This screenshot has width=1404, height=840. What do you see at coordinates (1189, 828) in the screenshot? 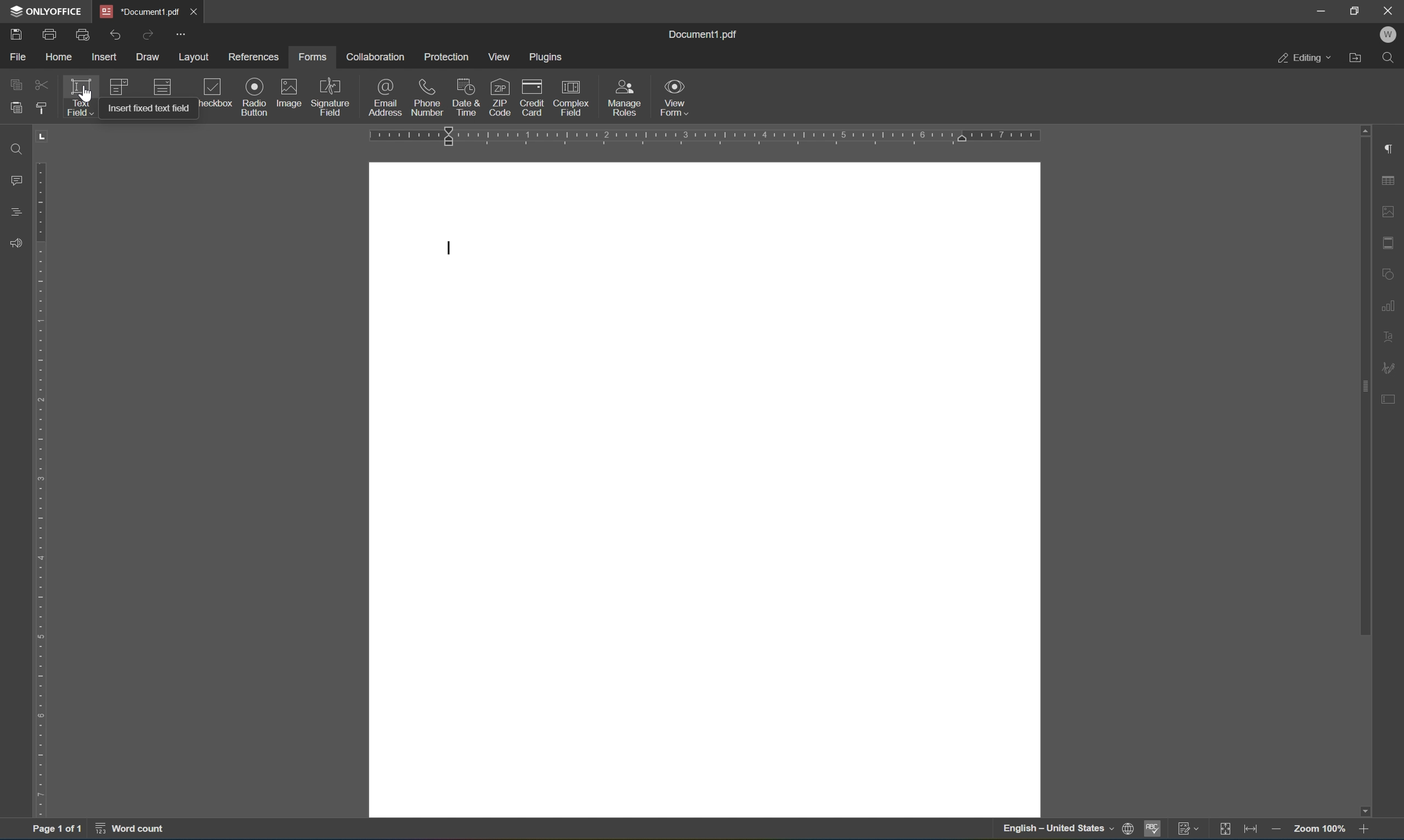
I see `track changes` at bounding box center [1189, 828].